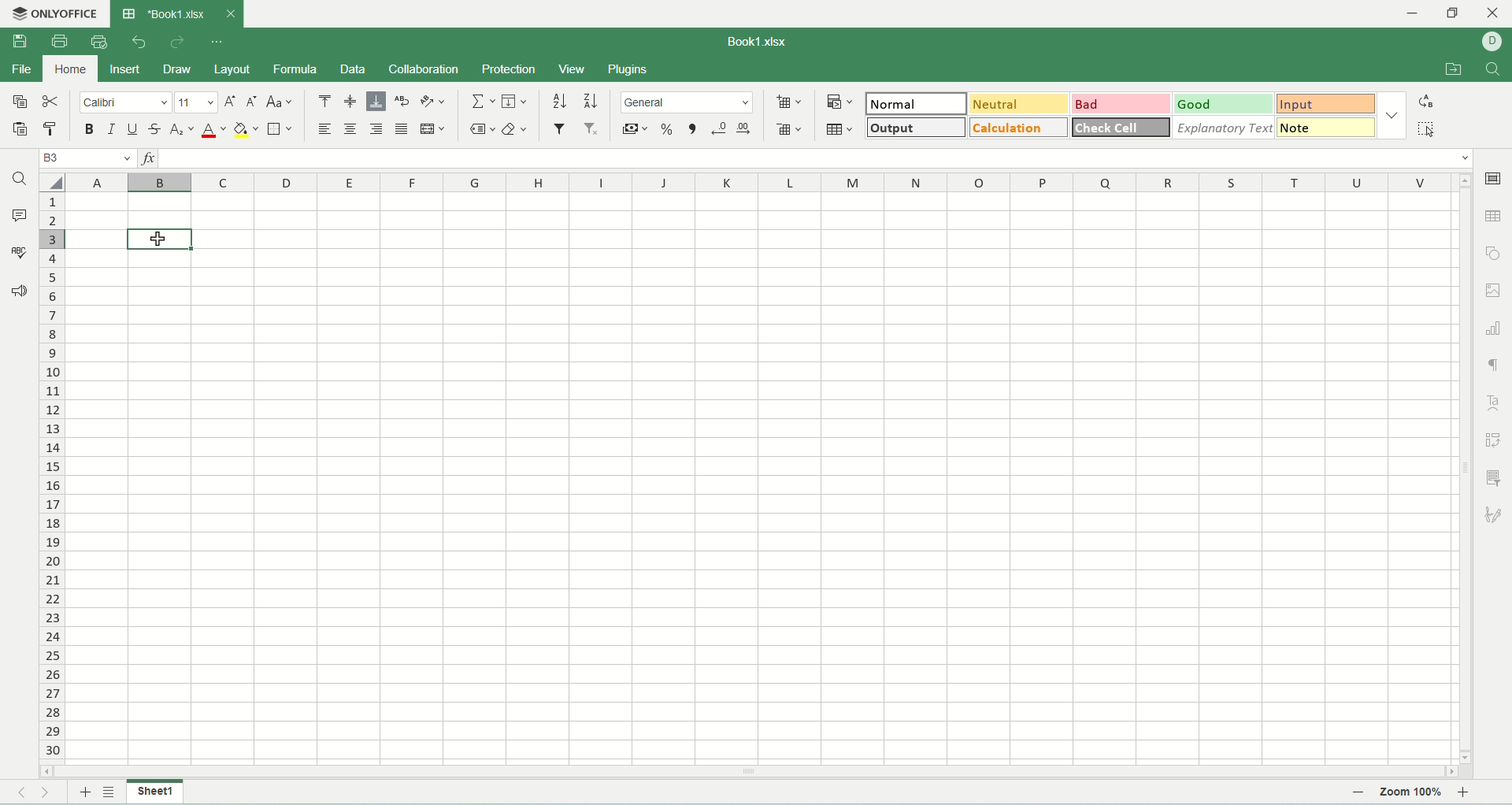 The height and width of the screenshot is (805, 1512). What do you see at coordinates (424, 69) in the screenshot?
I see `collaboration` at bounding box center [424, 69].